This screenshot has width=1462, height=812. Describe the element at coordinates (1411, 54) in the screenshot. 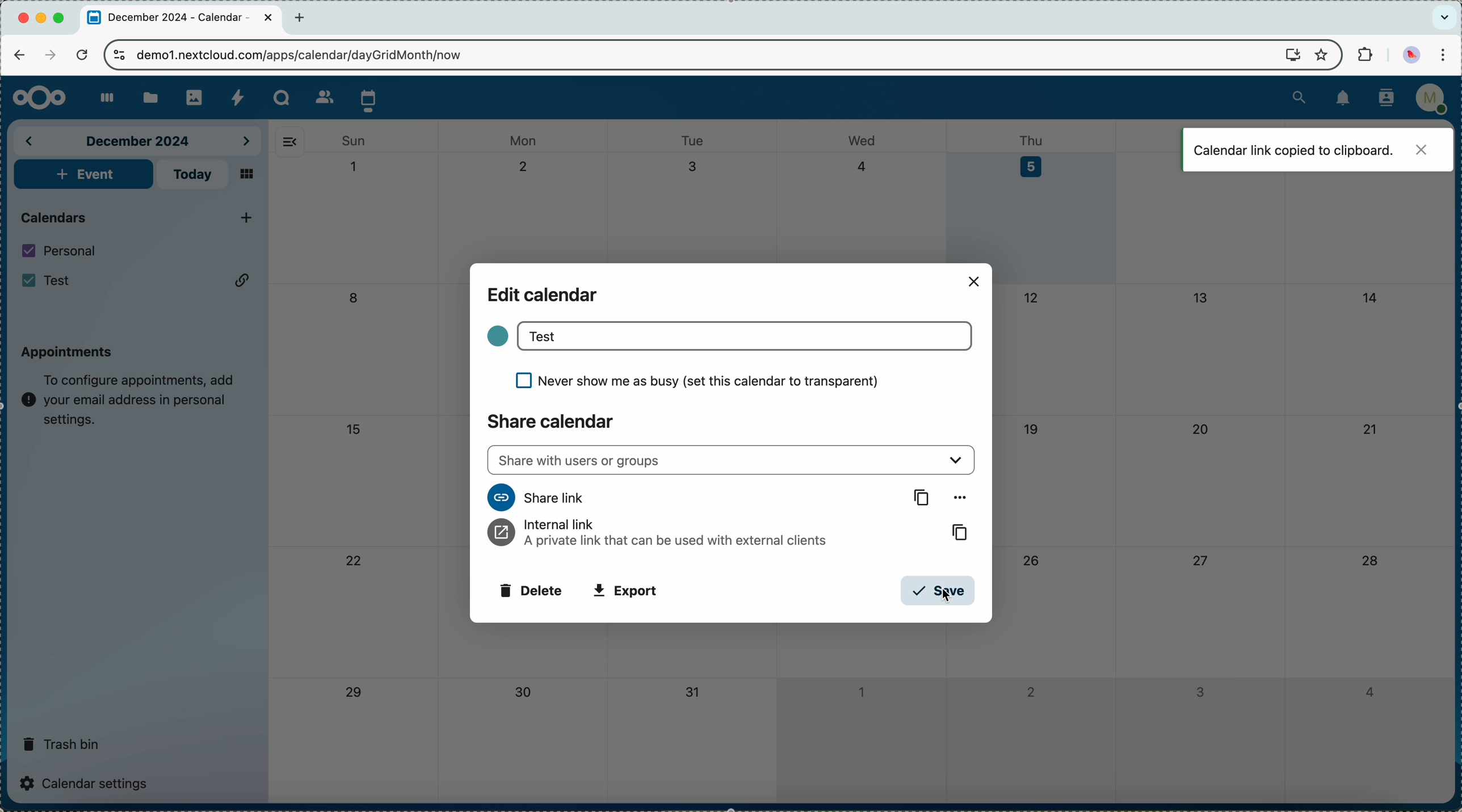

I see `profile picture` at that location.